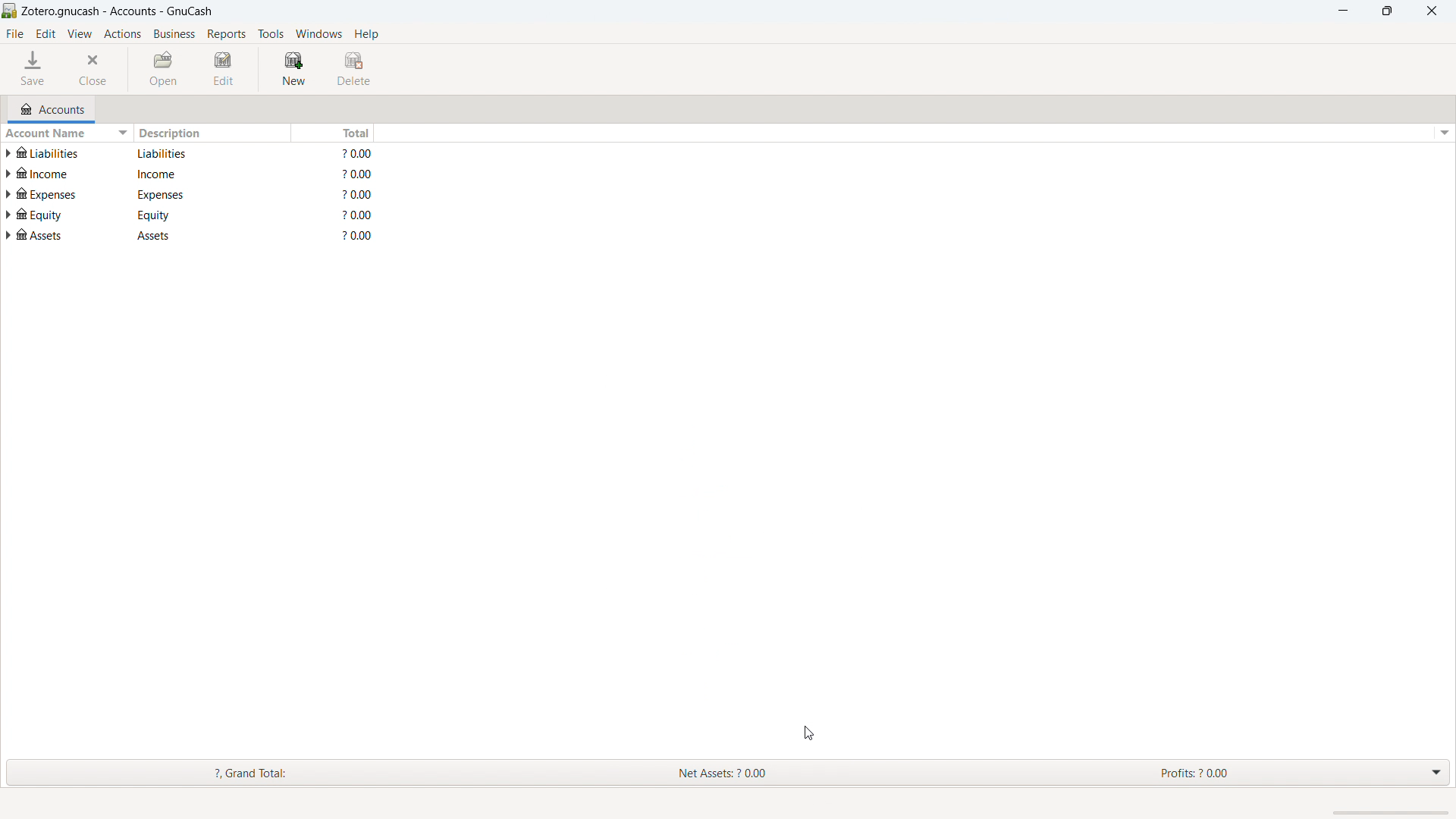 The height and width of the screenshot is (819, 1456). Describe the element at coordinates (57, 107) in the screenshot. I see `accounts tab` at that location.